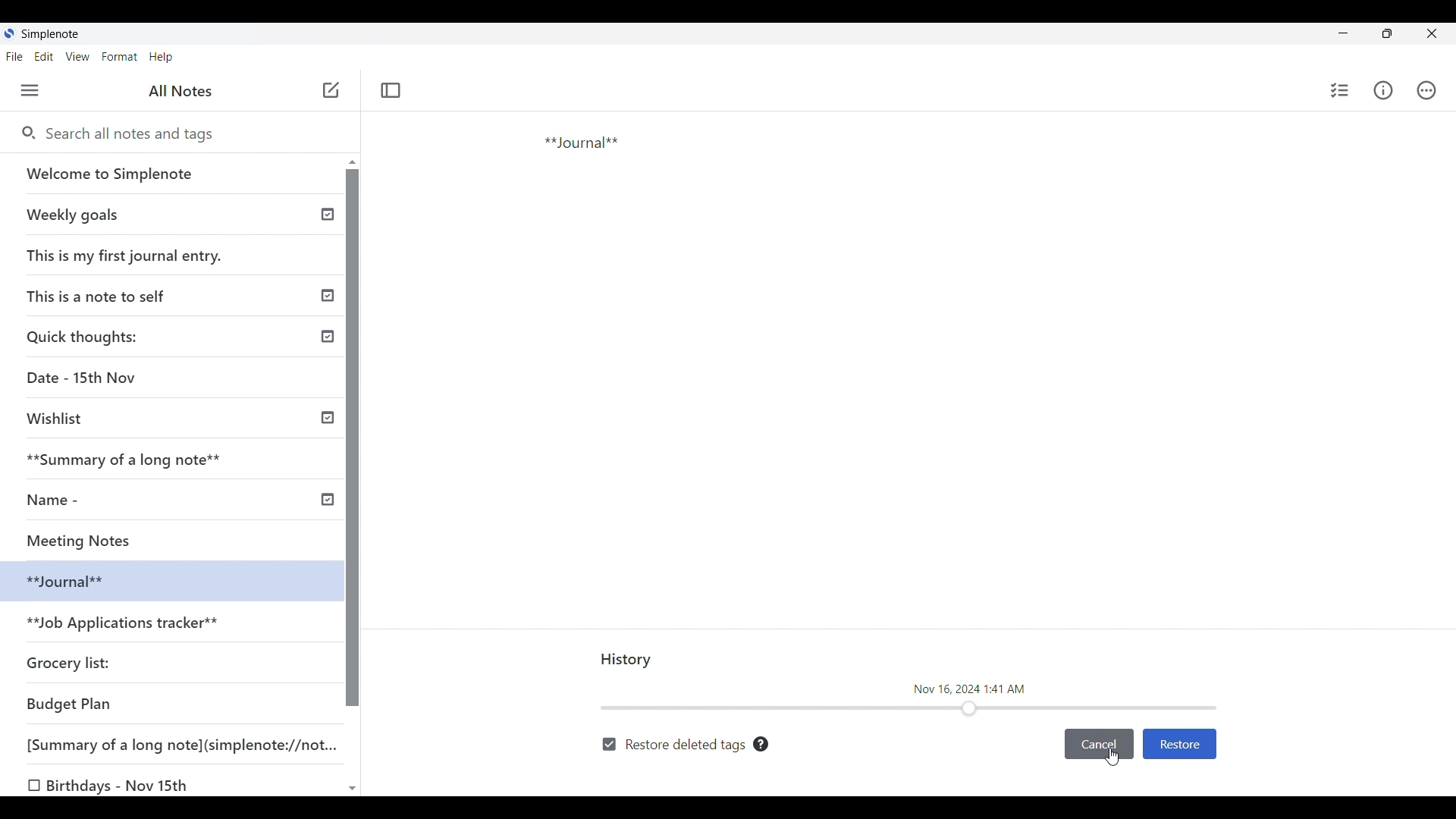 This screenshot has width=1456, height=819. I want to click on [Summary of a long note](simplenote://not..., so click(189, 744).